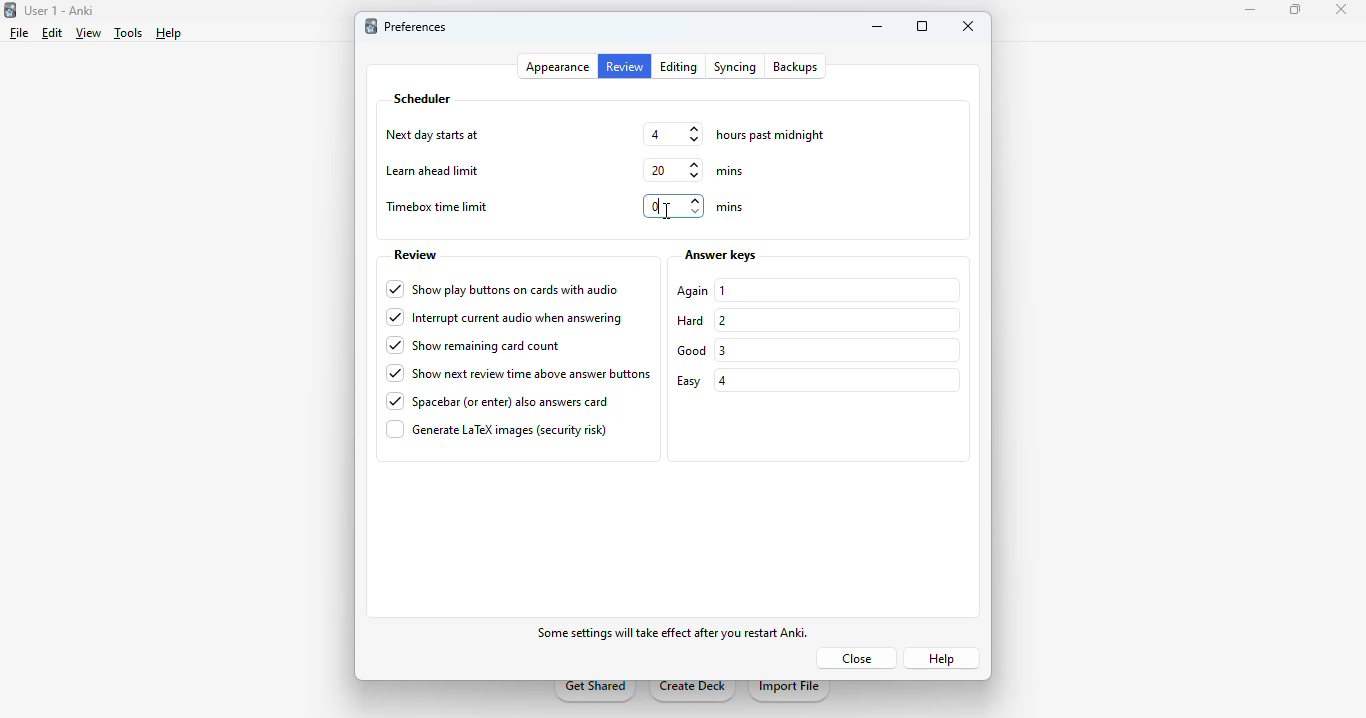  Describe the element at coordinates (415, 256) in the screenshot. I see `review` at that location.